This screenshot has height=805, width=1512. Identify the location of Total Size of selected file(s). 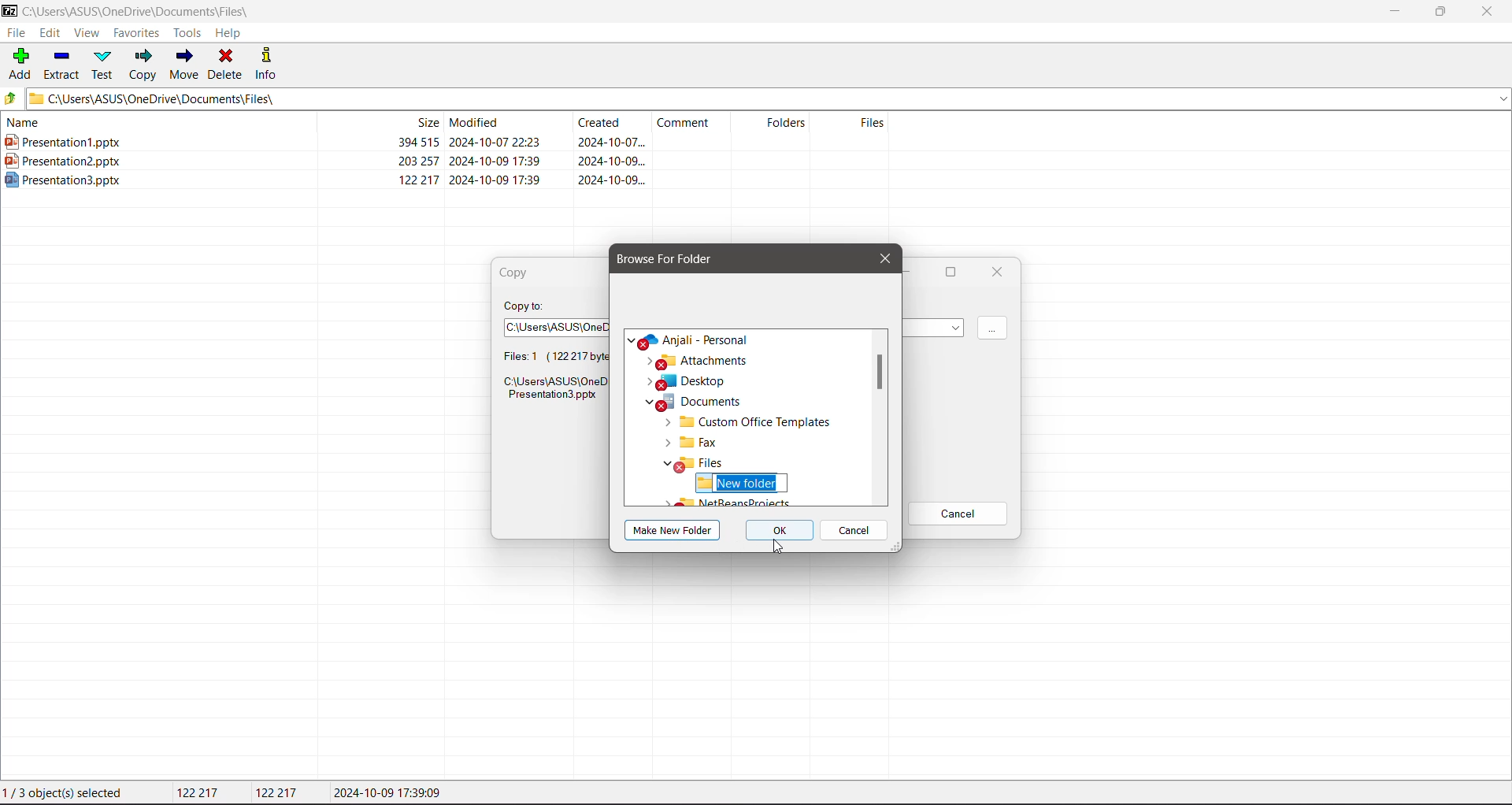
(201, 793).